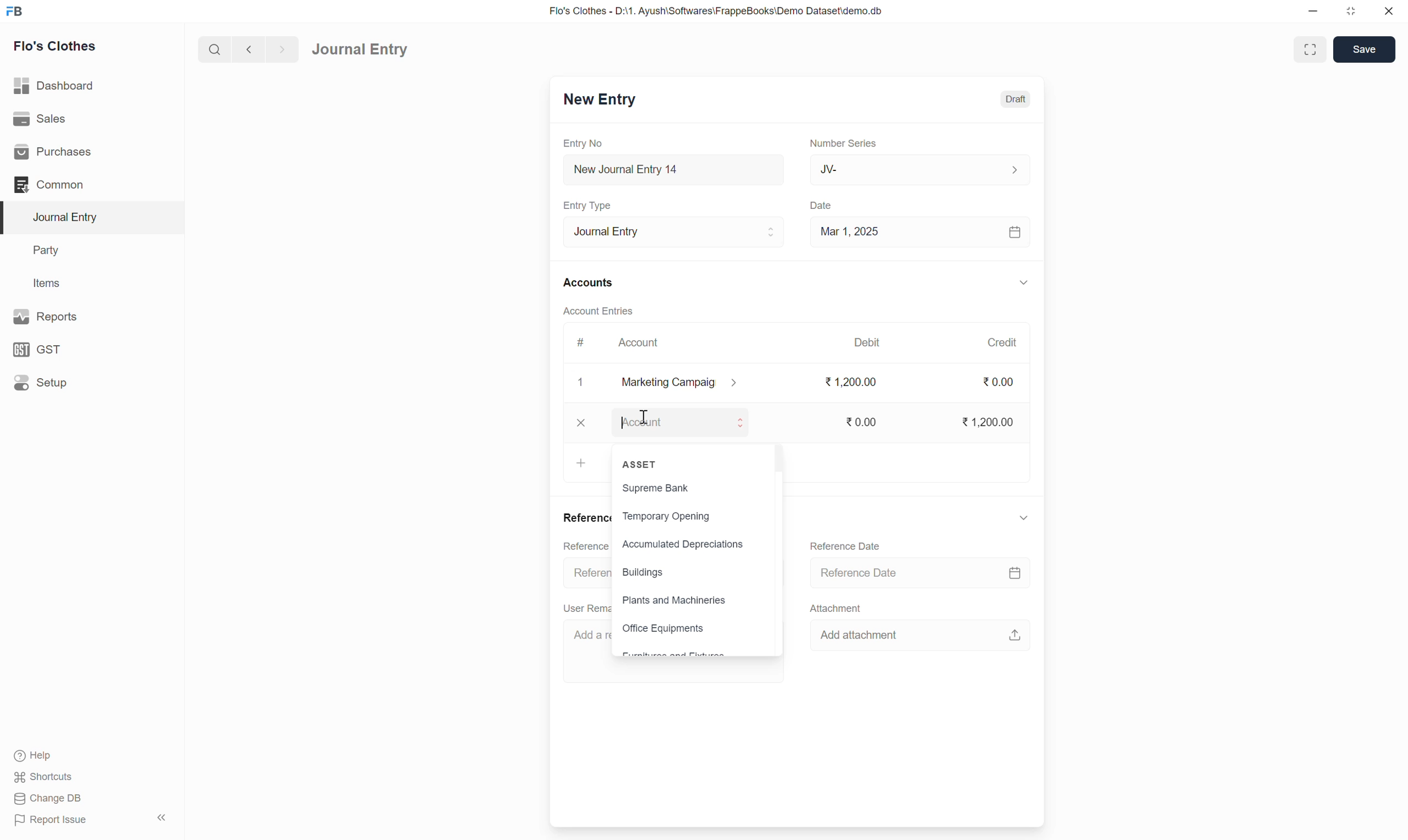  What do you see at coordinates (57, 46) in the screenshot?
I see `Flo's Clothes` at bounding box center [57, 46].